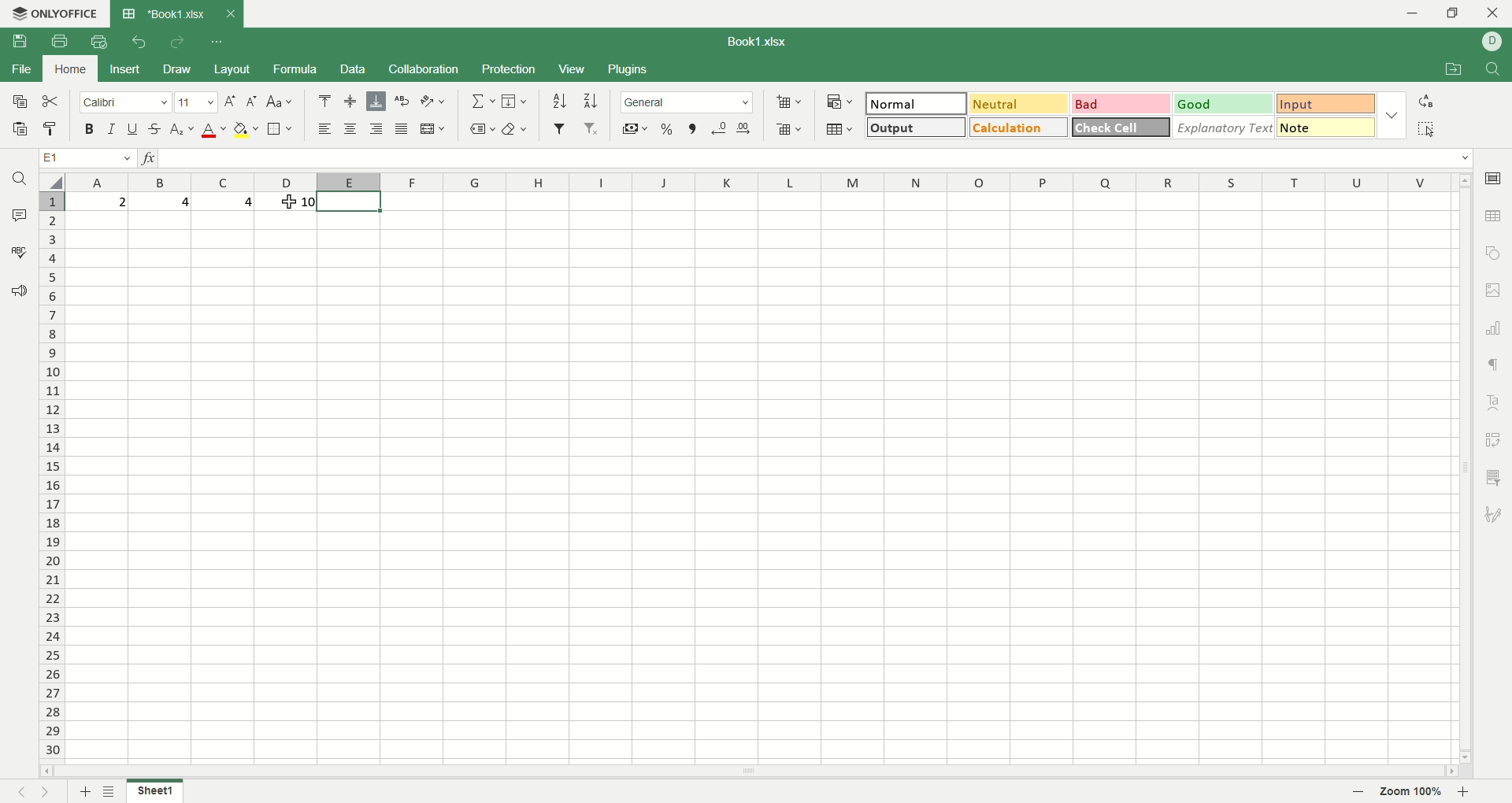  What do you see at coordinates (400, 130) in the screenshot?
I see `justified` at bounding box center [400, 130].